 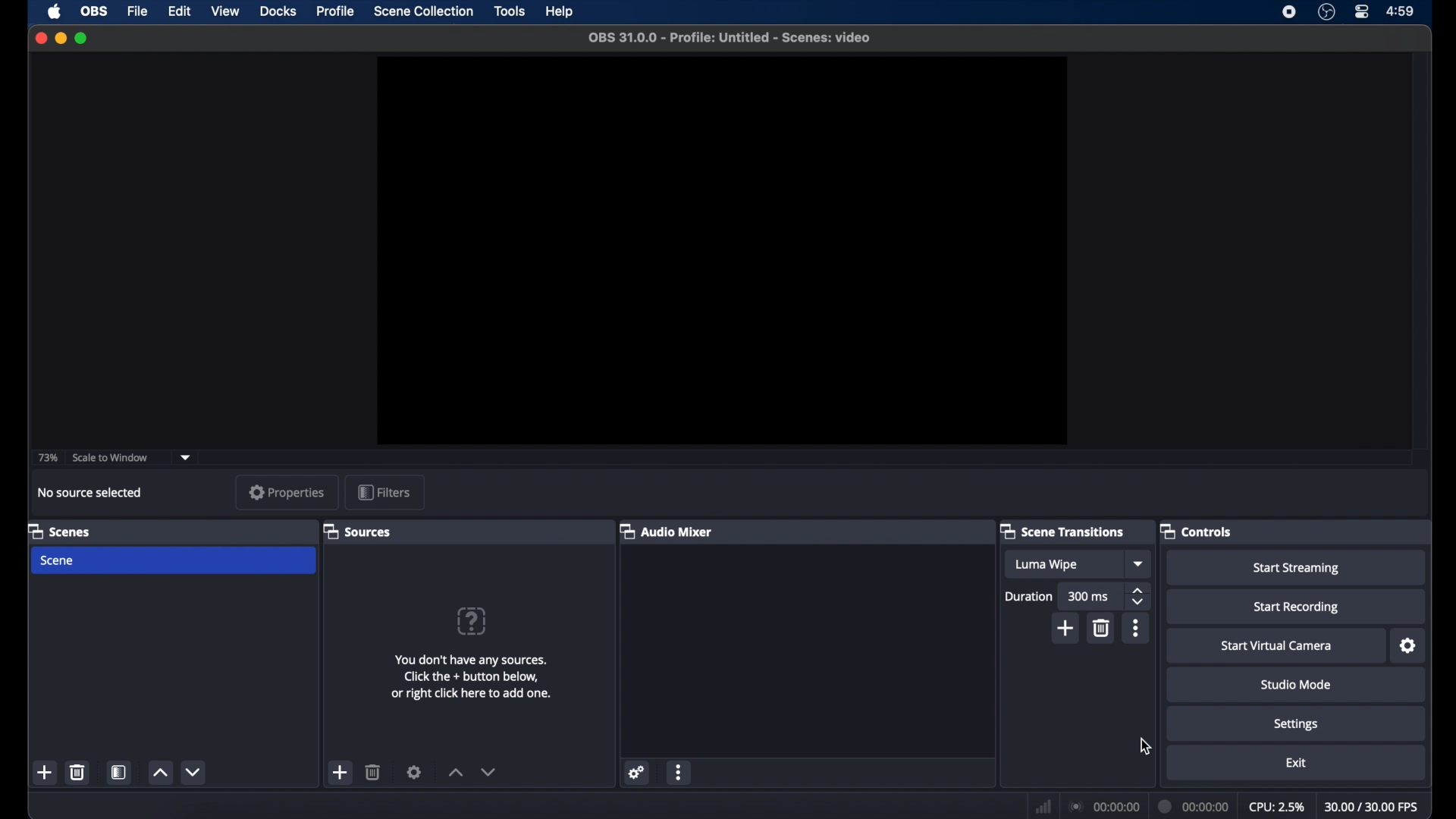 What do you see at coordinates (475, 672) in the screenshot?
I see `You don't have any sources.
Click the + button below,
or right click here to add one.` at bounding box center [475, 672].